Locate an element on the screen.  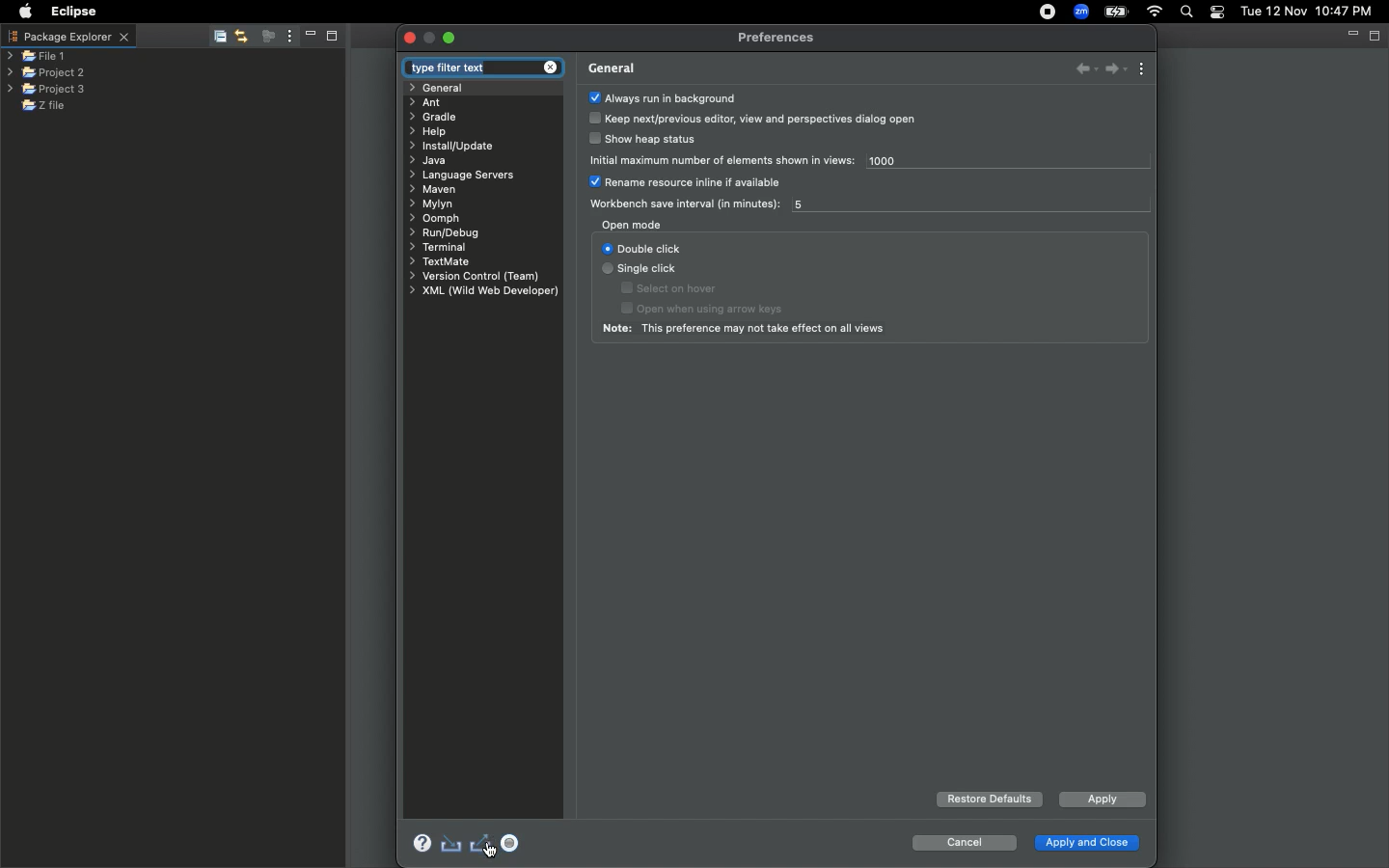
Install/update is located at coordinates (459, 145).